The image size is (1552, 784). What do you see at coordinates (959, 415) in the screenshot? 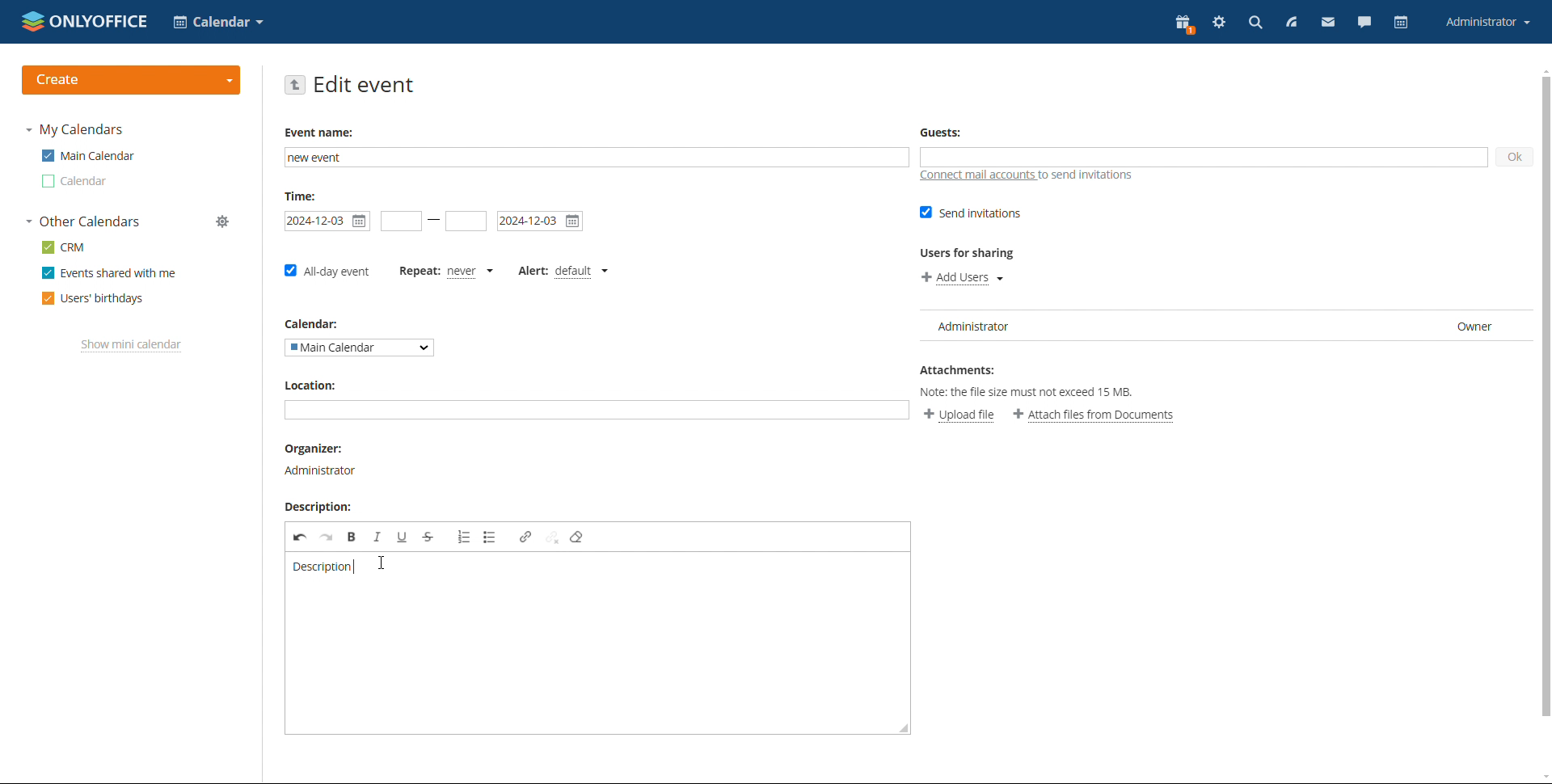
I see `upload file` at bounding box center [959, 415].